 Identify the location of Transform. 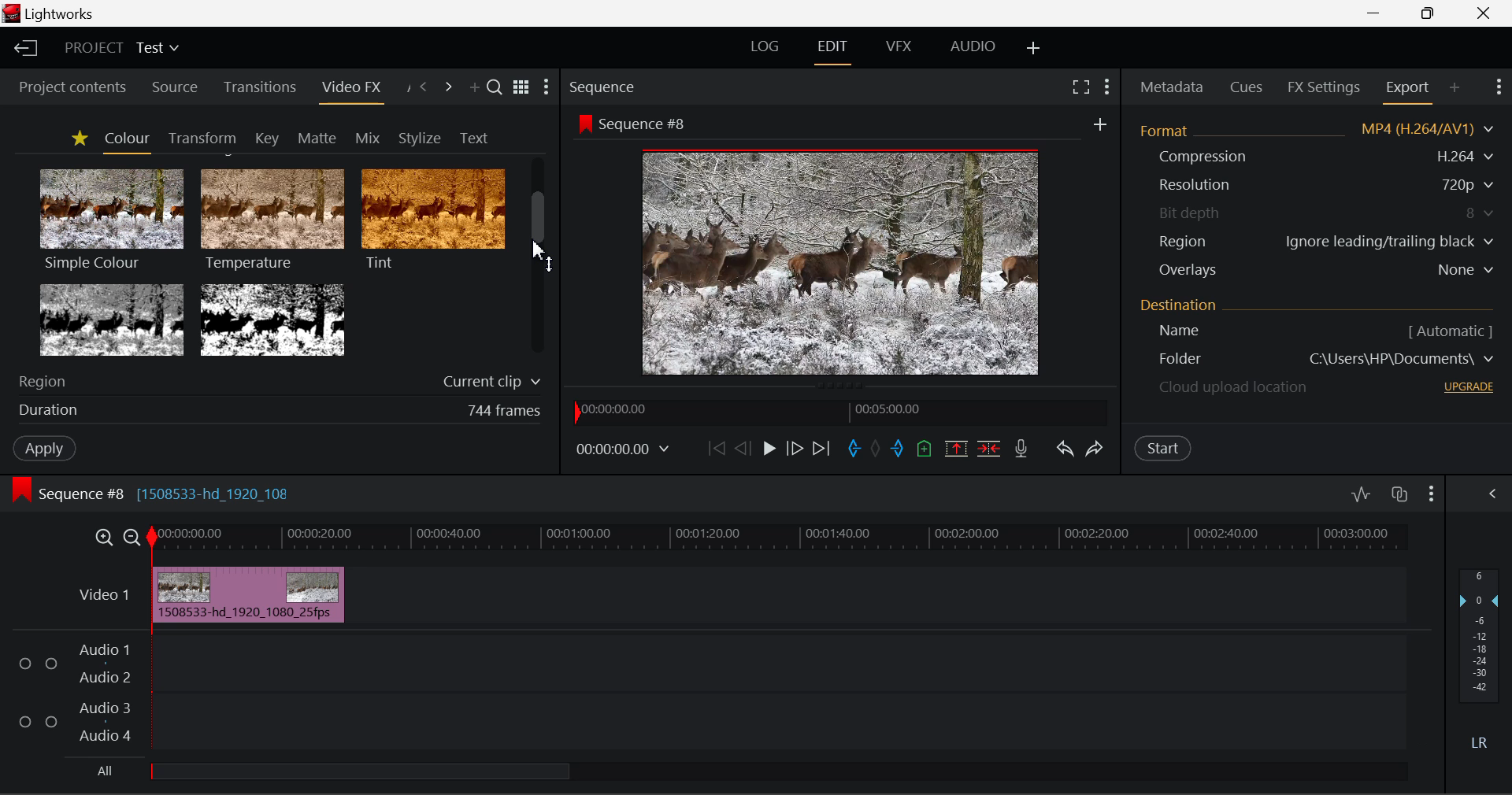
(199, 137).